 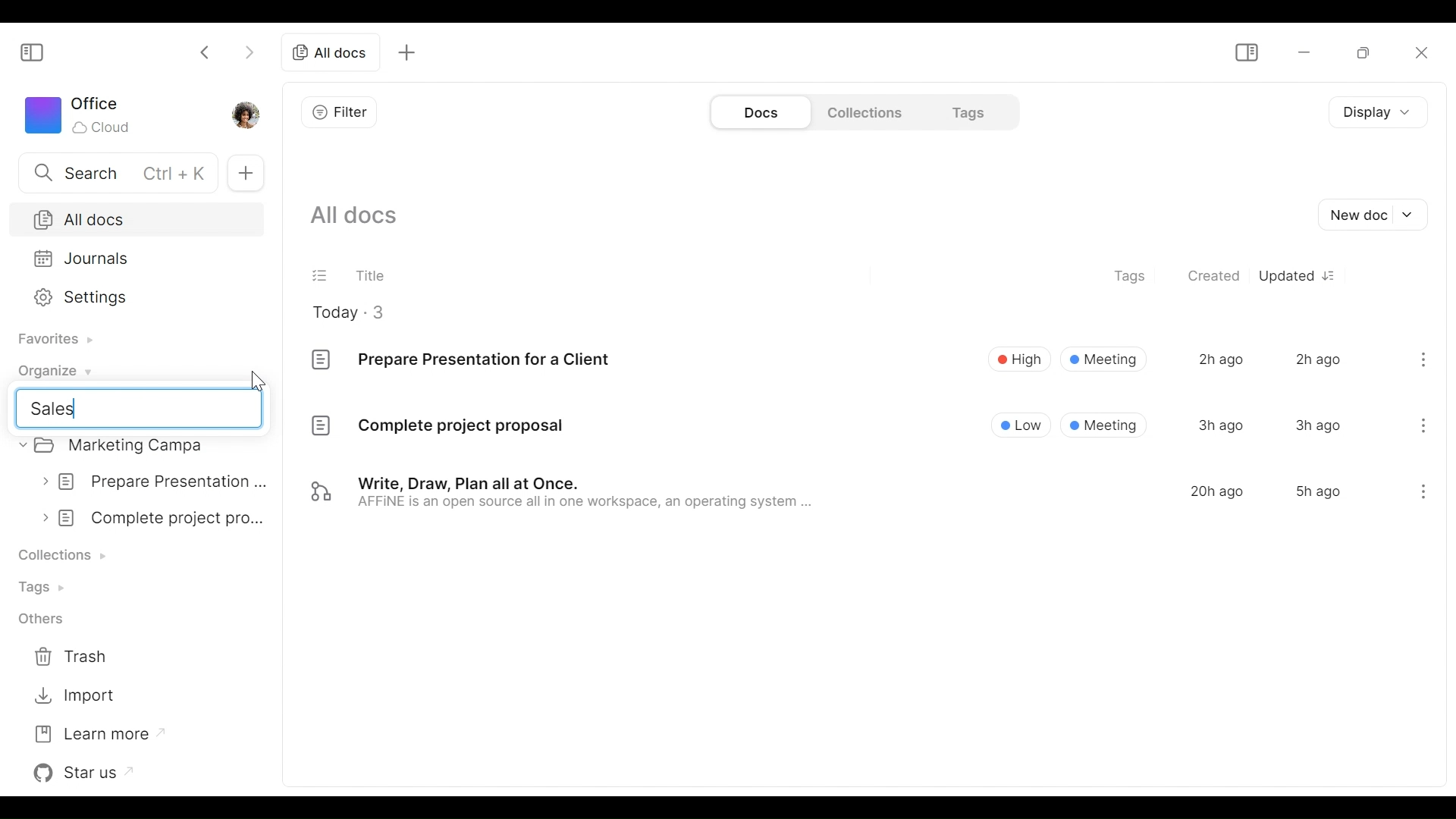 I want to click on New document, so click(x=1376, y=215).